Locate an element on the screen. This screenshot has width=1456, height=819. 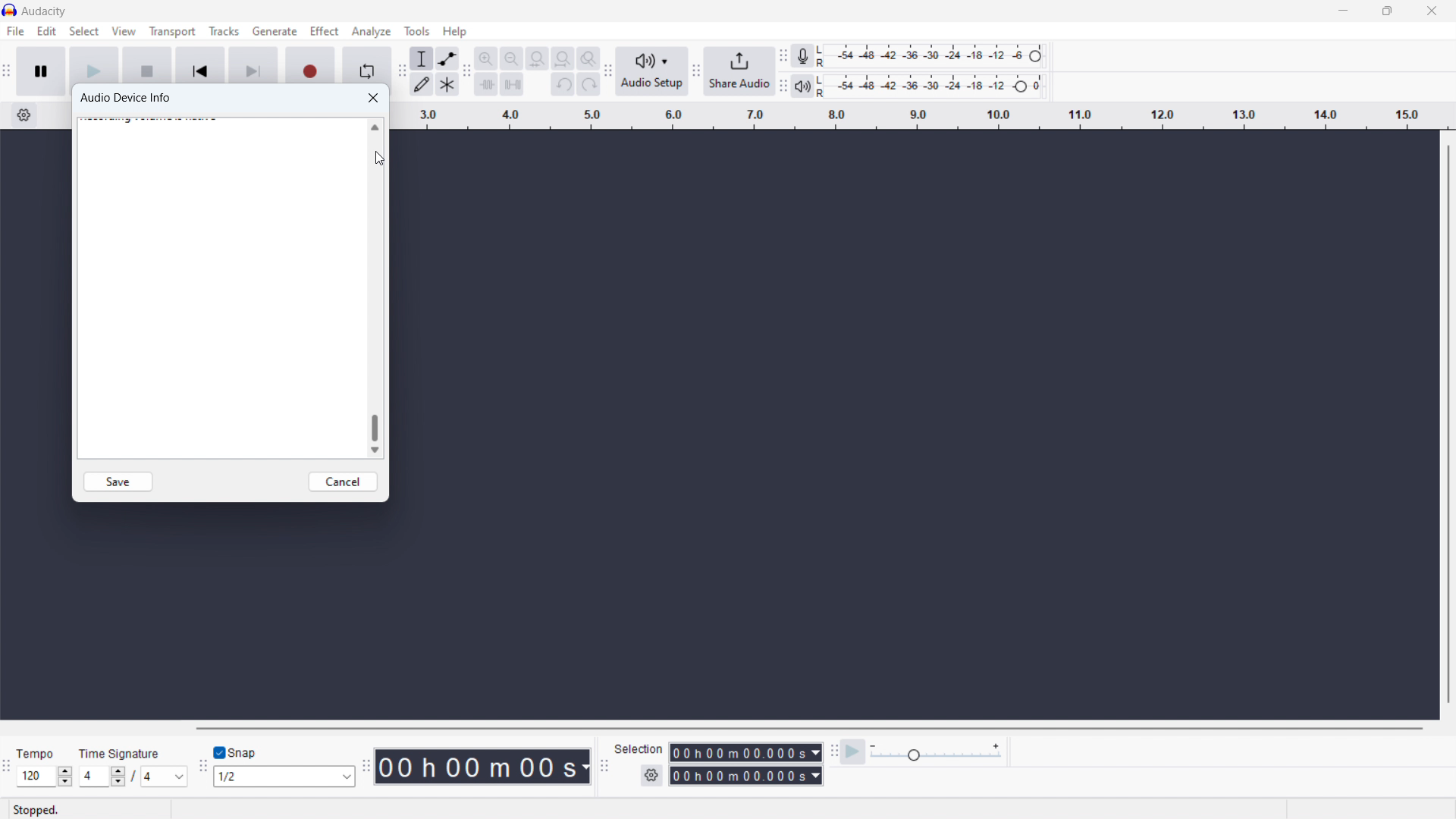
Time signature is located at coordinates (120, 753).